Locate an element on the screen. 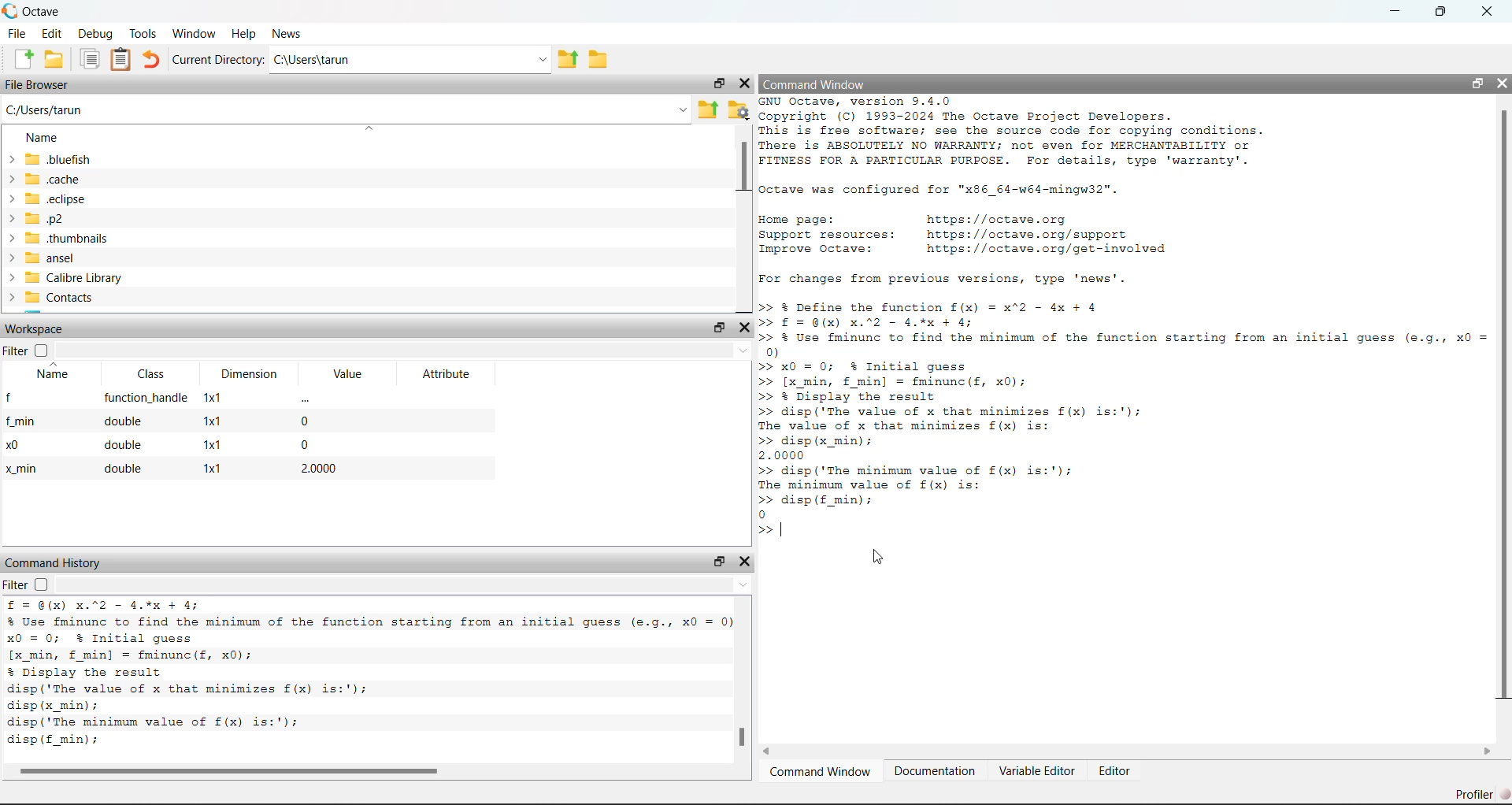  Dropdown is located at coordinates (680, 108).